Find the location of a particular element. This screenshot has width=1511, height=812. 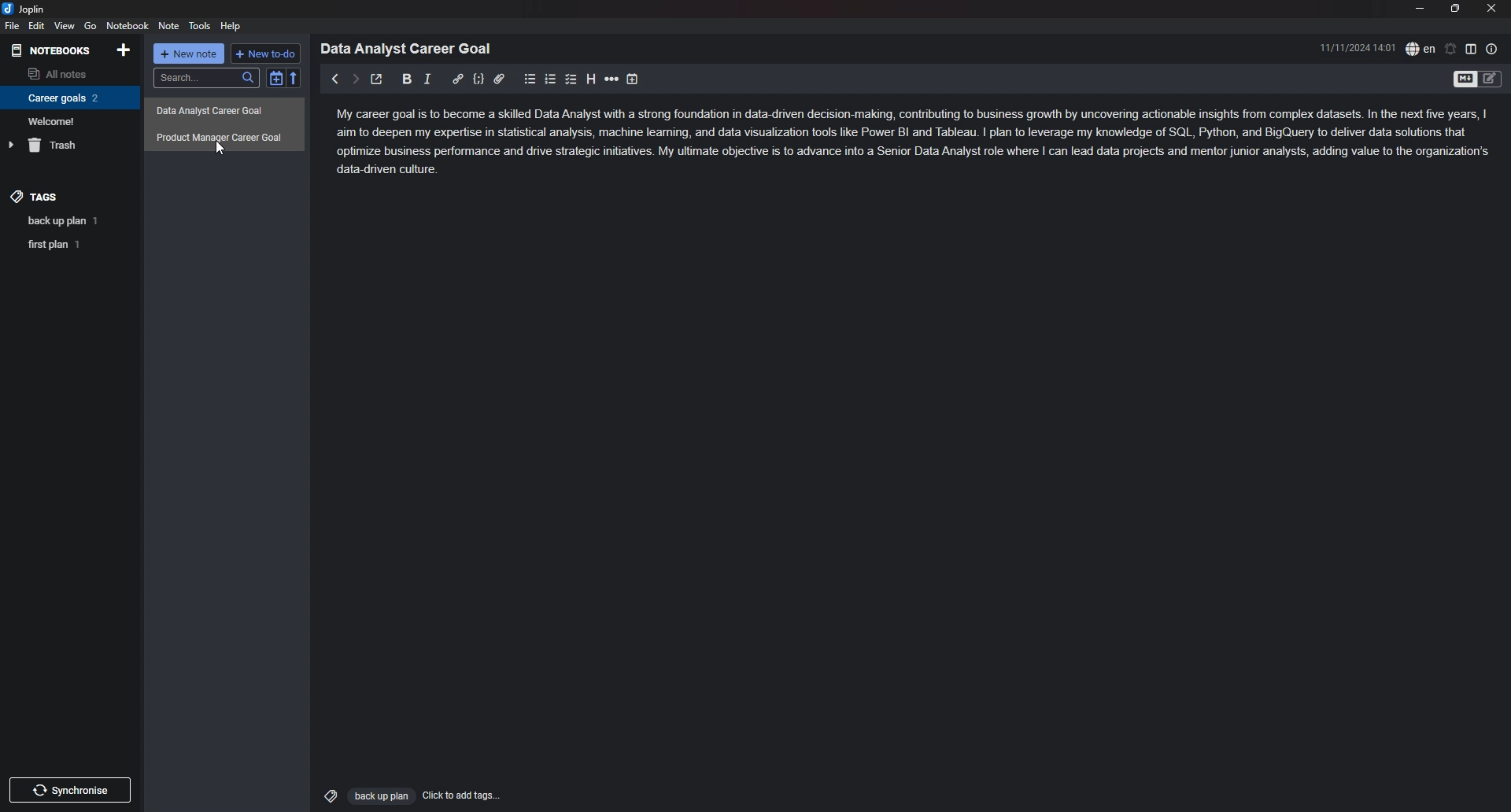

numbered list is located at coordinates (551, 80).